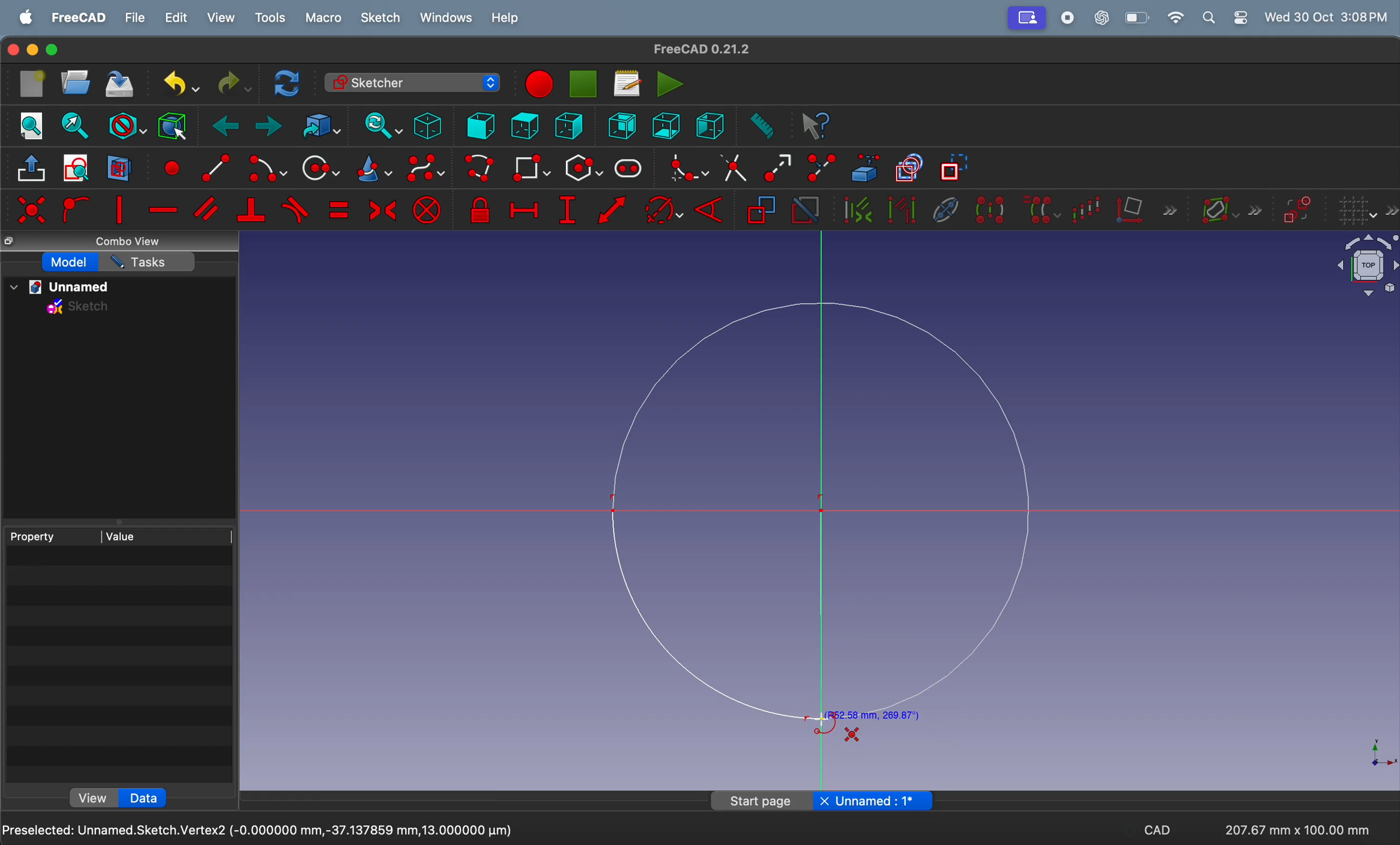 Image resolution: width=1400 pixels, height=845 pixels. Describe the element at coordinates (178, 18) in the screenshot. I see `edit` at that location.